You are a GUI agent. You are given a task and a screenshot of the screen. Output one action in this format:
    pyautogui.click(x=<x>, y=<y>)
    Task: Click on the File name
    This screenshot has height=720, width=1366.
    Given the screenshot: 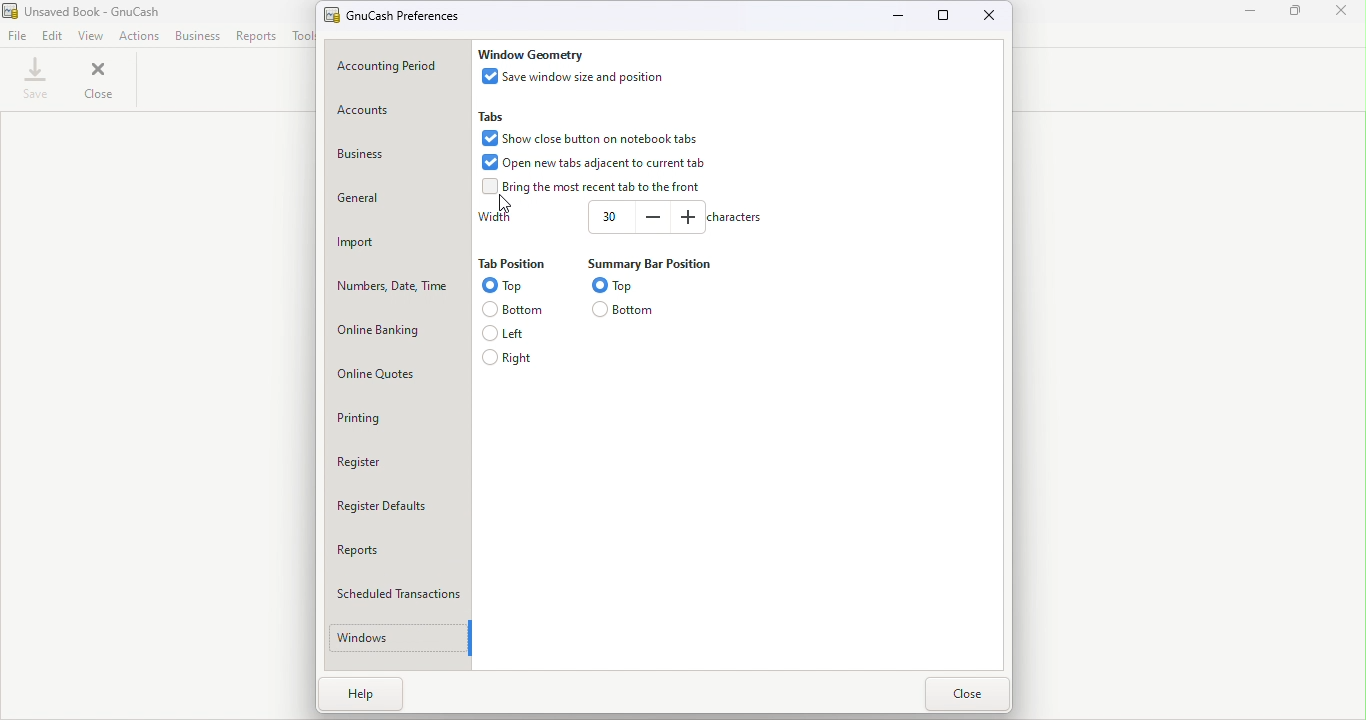 What is the action you would take?
    pyautogui.click(x=405, y=13)
    